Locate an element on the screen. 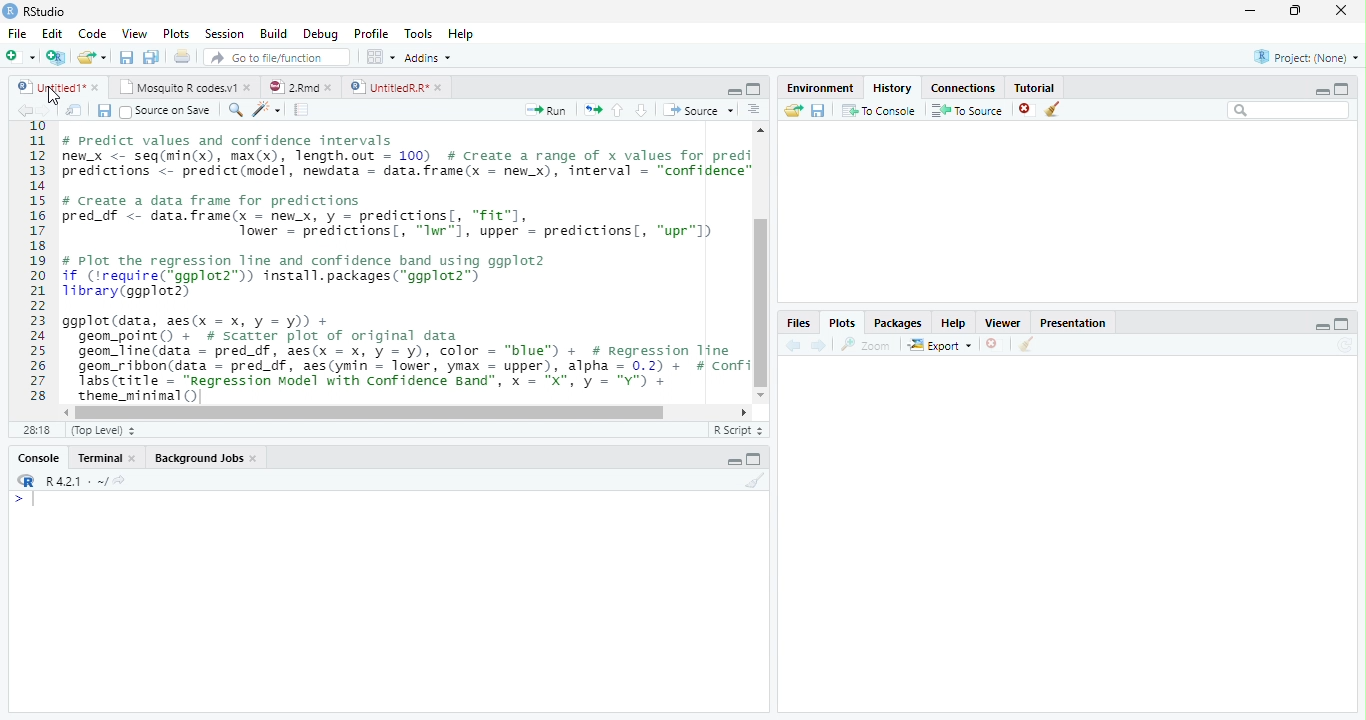 The width and height of the screenshot is (1366, 720). Clear console is located at coordinates (756, 481).